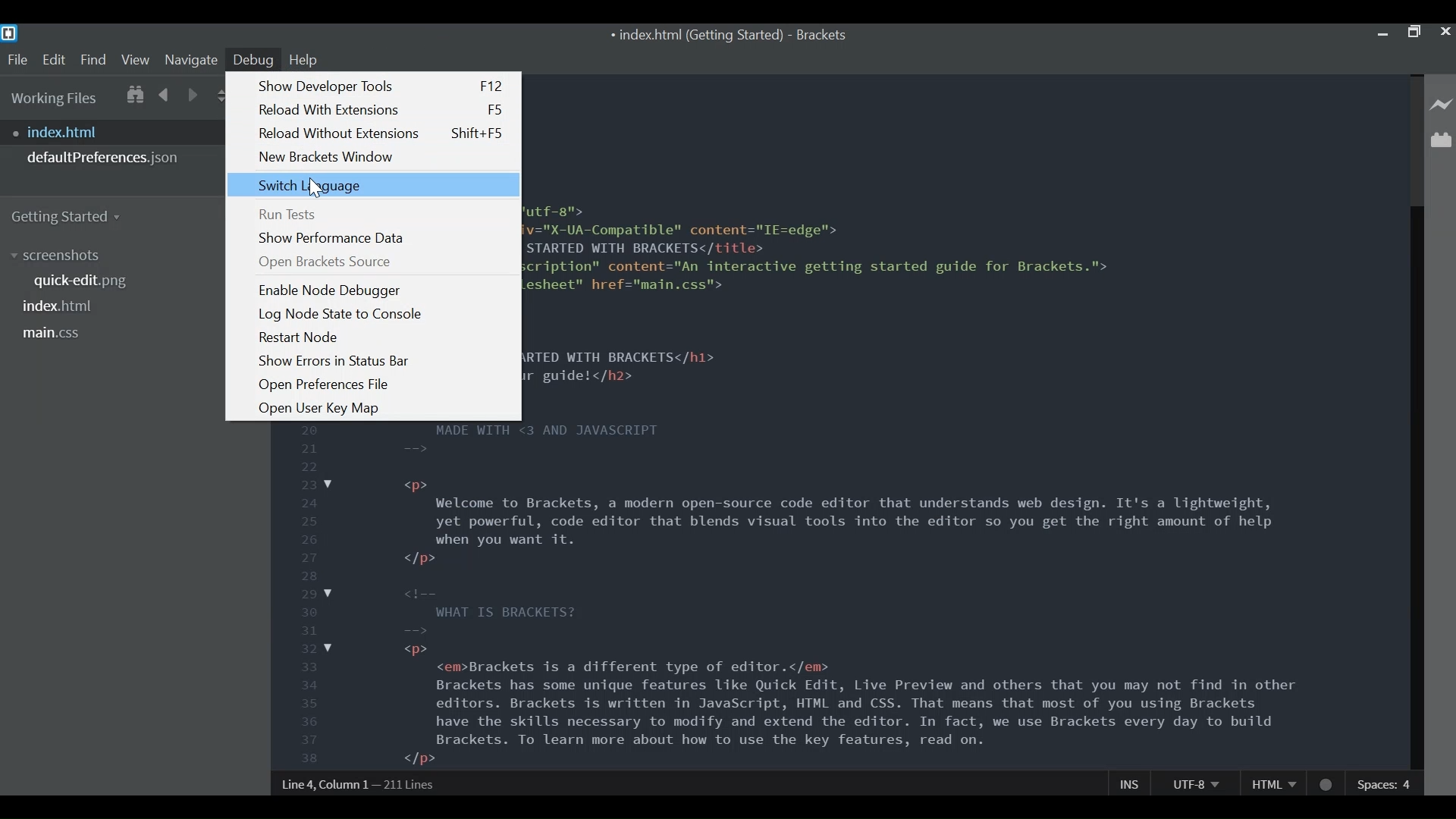 This screenshot has width=1456, height=819. What do you see at coordinates (1442, 105) in the screenshot?
I see `Live Preview` at bounding box center [1442, 105].